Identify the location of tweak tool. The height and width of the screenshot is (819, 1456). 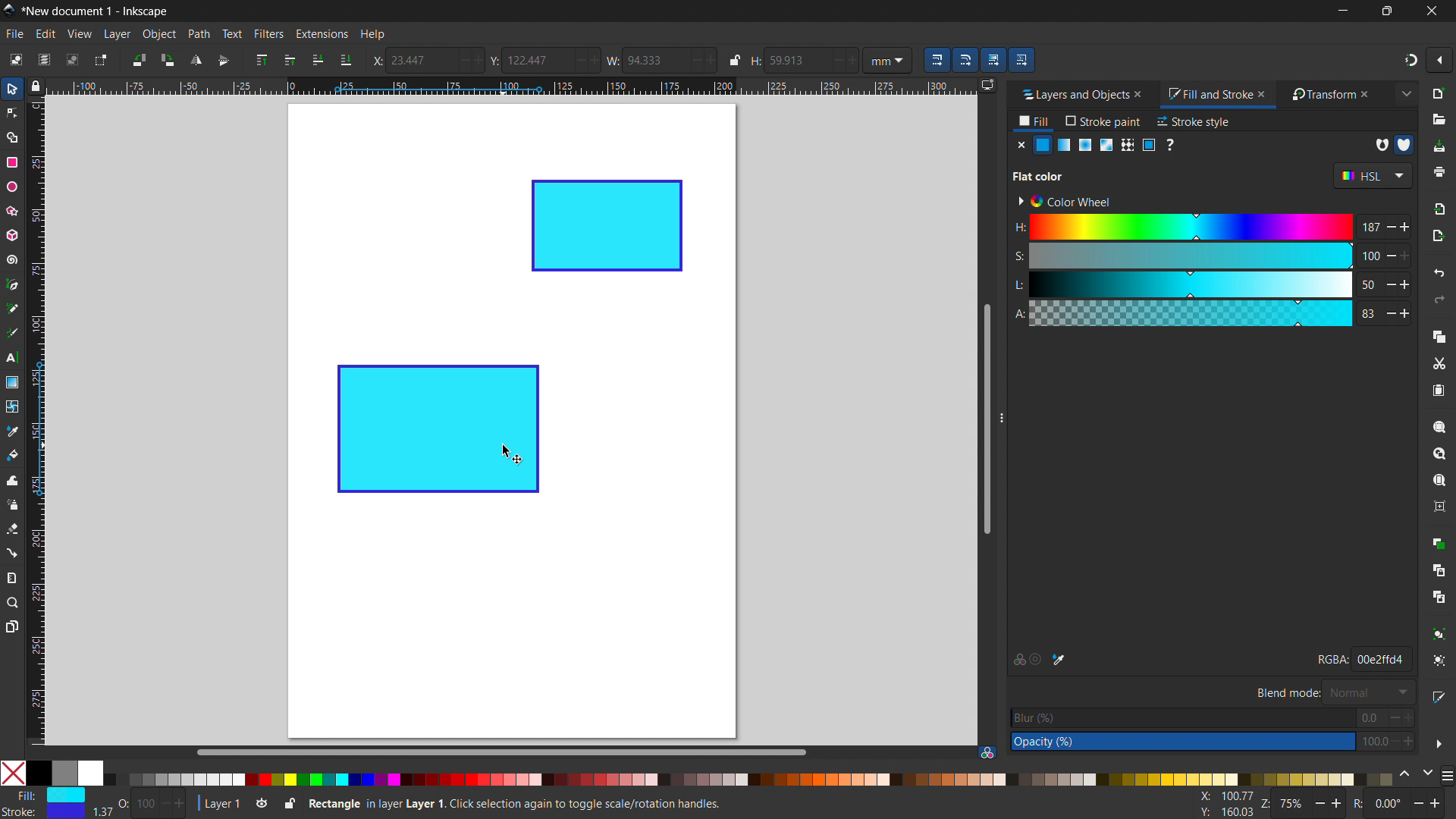
(12, 480).